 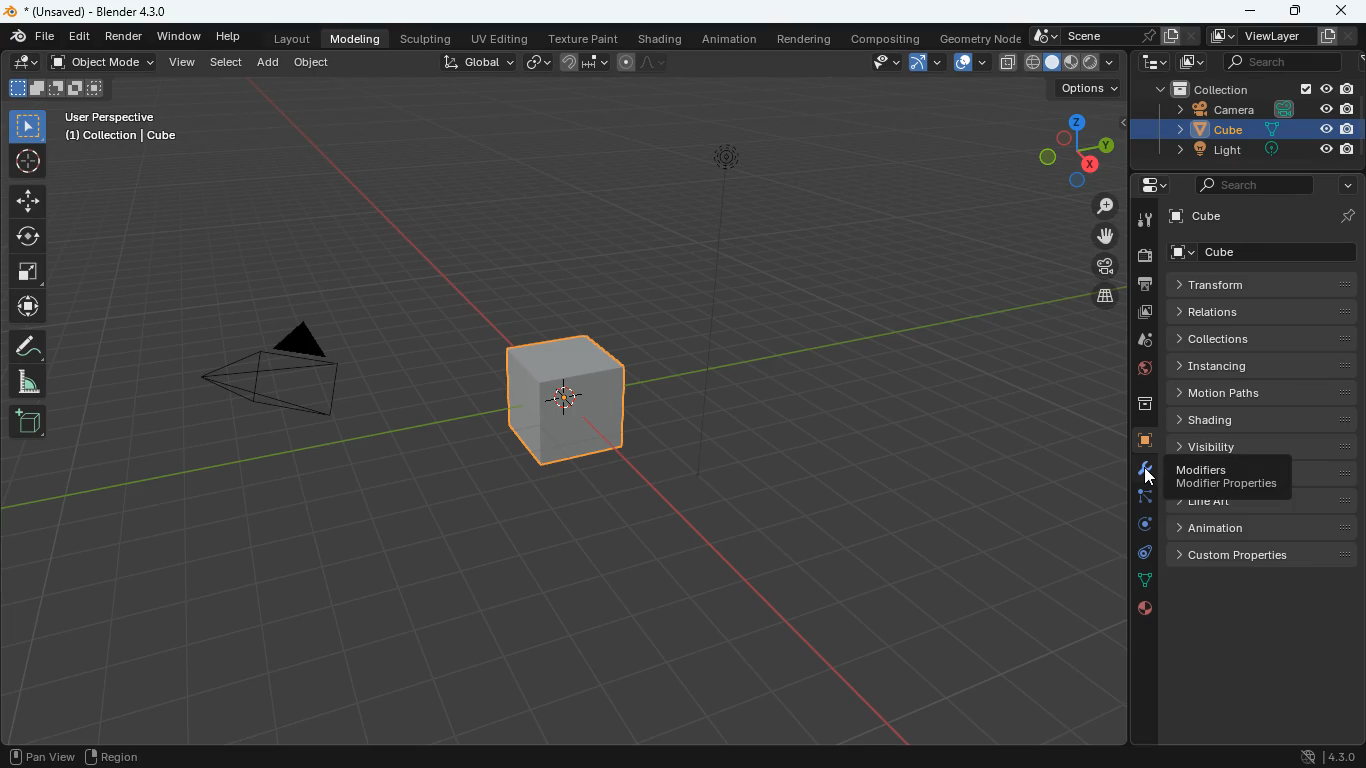 What do you see at coordinates (1343, 183) in the screenshot?
I see `more` at bounding box center [1343, 183].